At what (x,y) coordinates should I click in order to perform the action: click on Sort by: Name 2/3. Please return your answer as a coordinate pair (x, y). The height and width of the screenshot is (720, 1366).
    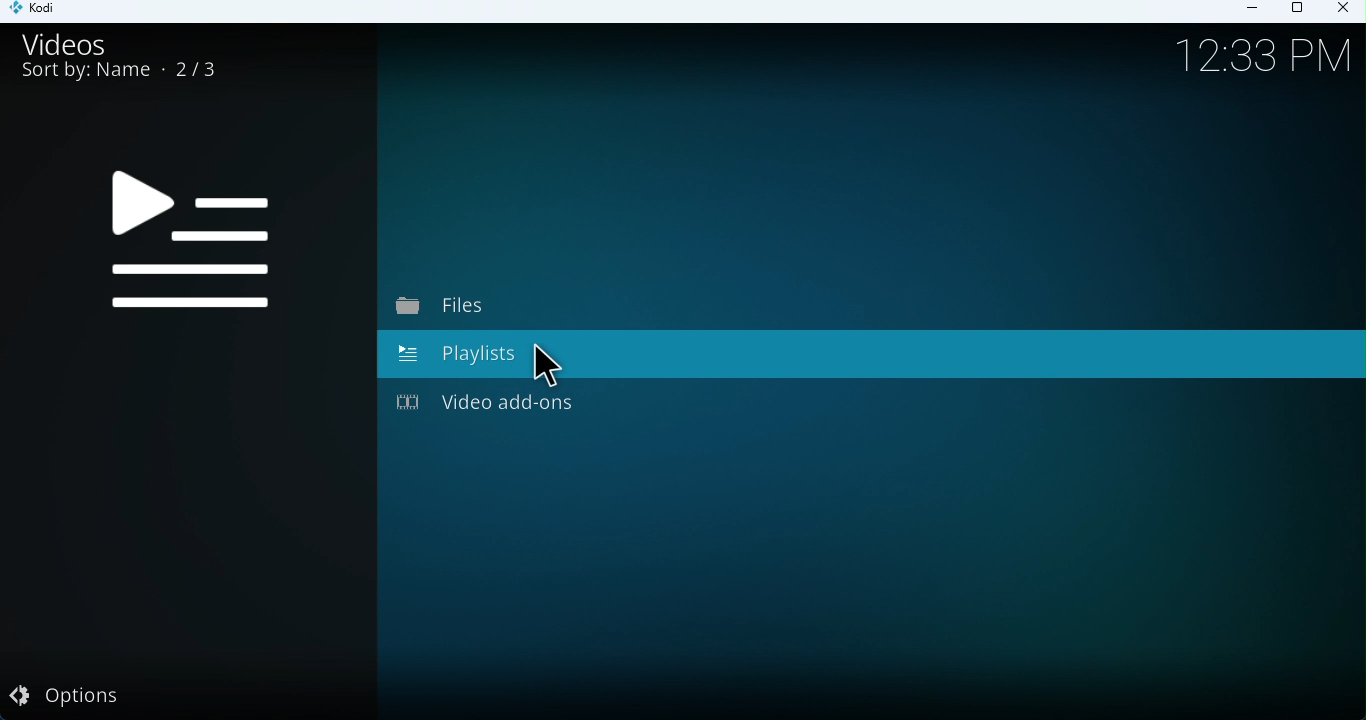
    Looking at the image, I should click on (120, 71).